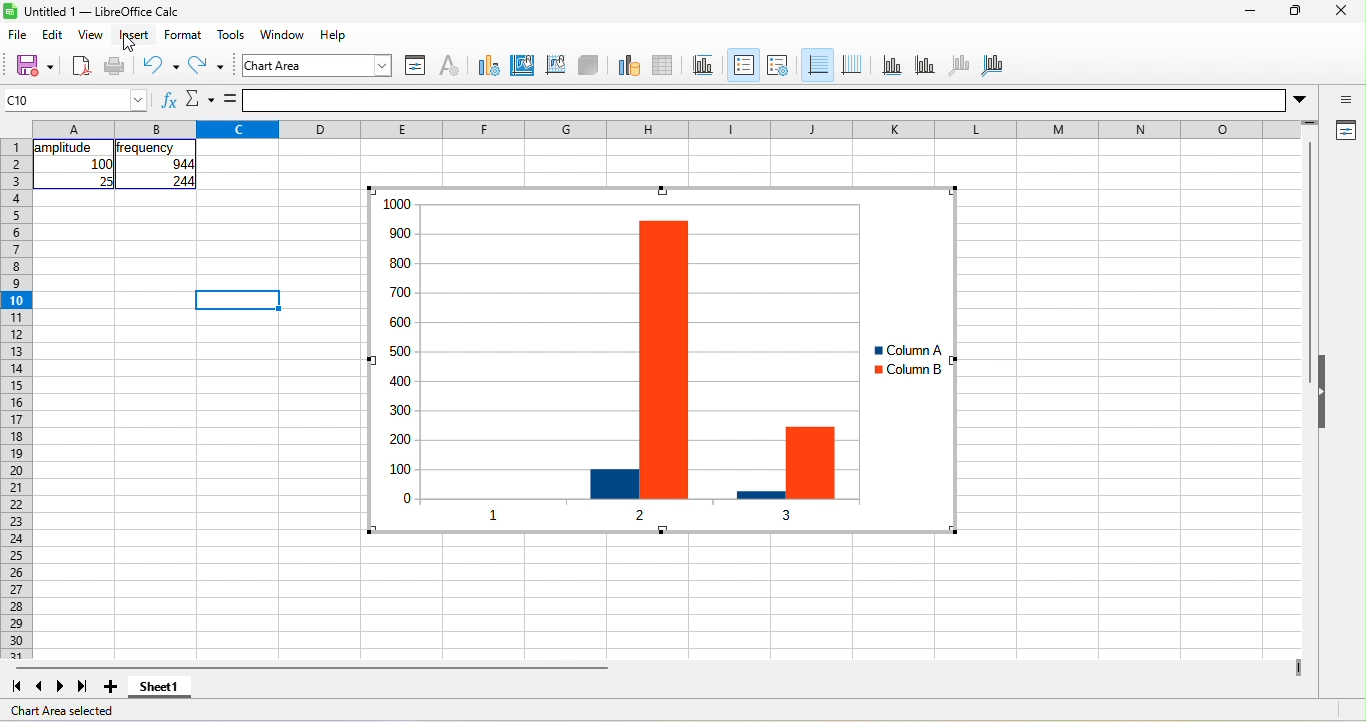 This screenshot has width=1366, height=722. Describe the element at coordinates (890, 65) in the screenshot. I see `x axis` at that location.